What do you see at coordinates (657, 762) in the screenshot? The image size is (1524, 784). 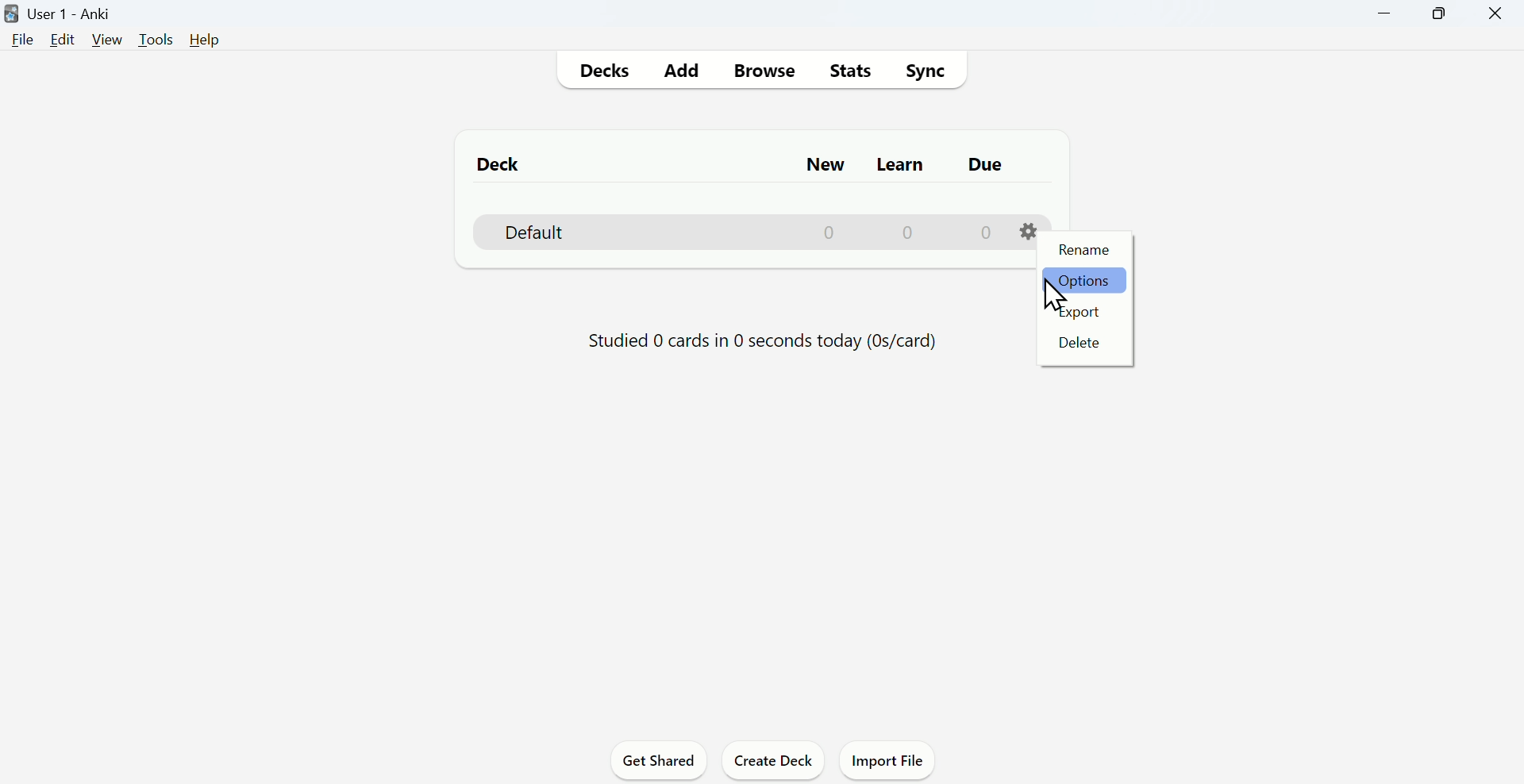 I see `Get Shared` at bounding box center [657, 762].